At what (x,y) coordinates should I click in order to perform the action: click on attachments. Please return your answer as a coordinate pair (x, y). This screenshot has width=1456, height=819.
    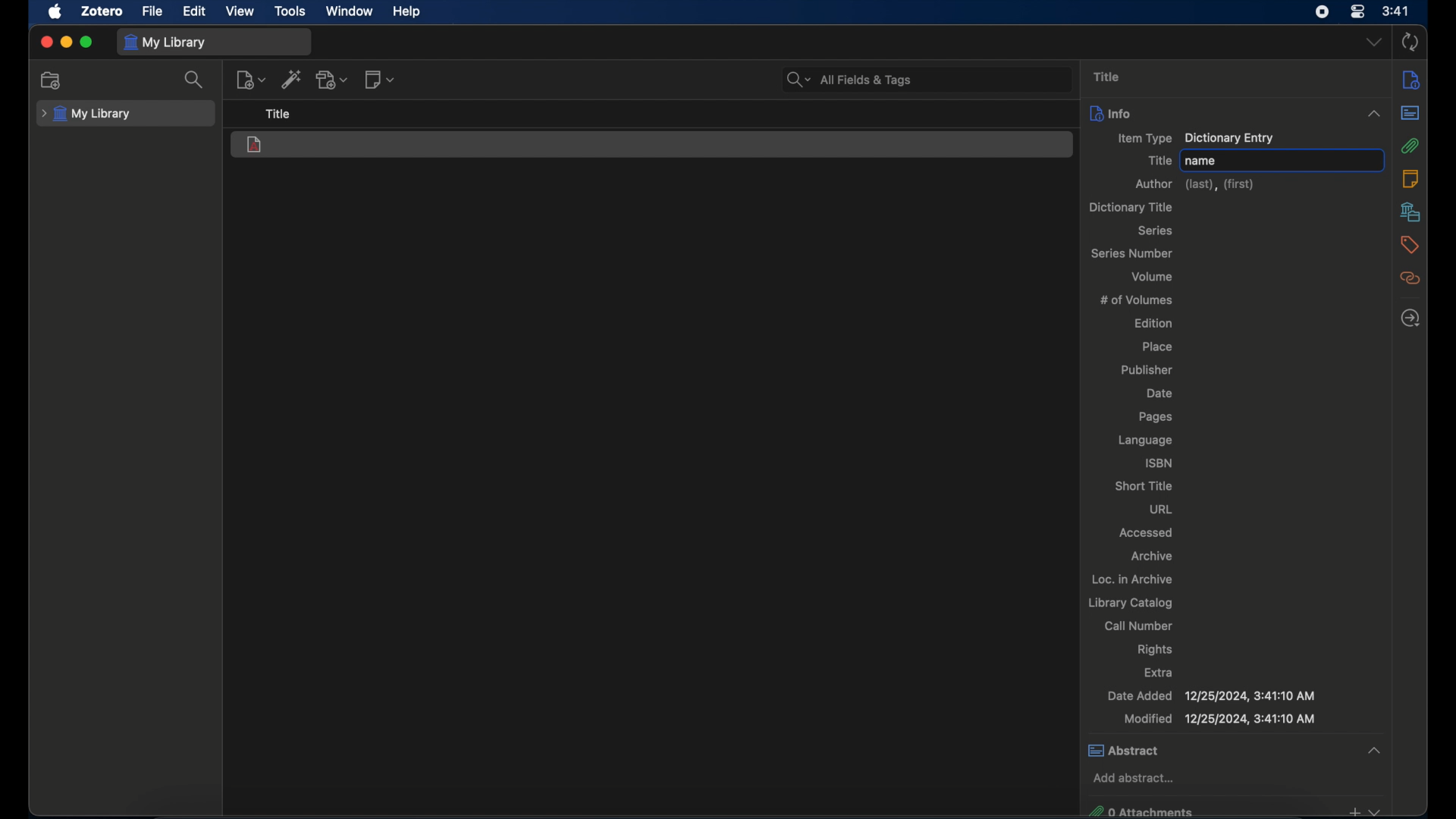
    Looking at the image, I should click on (1411, 146).